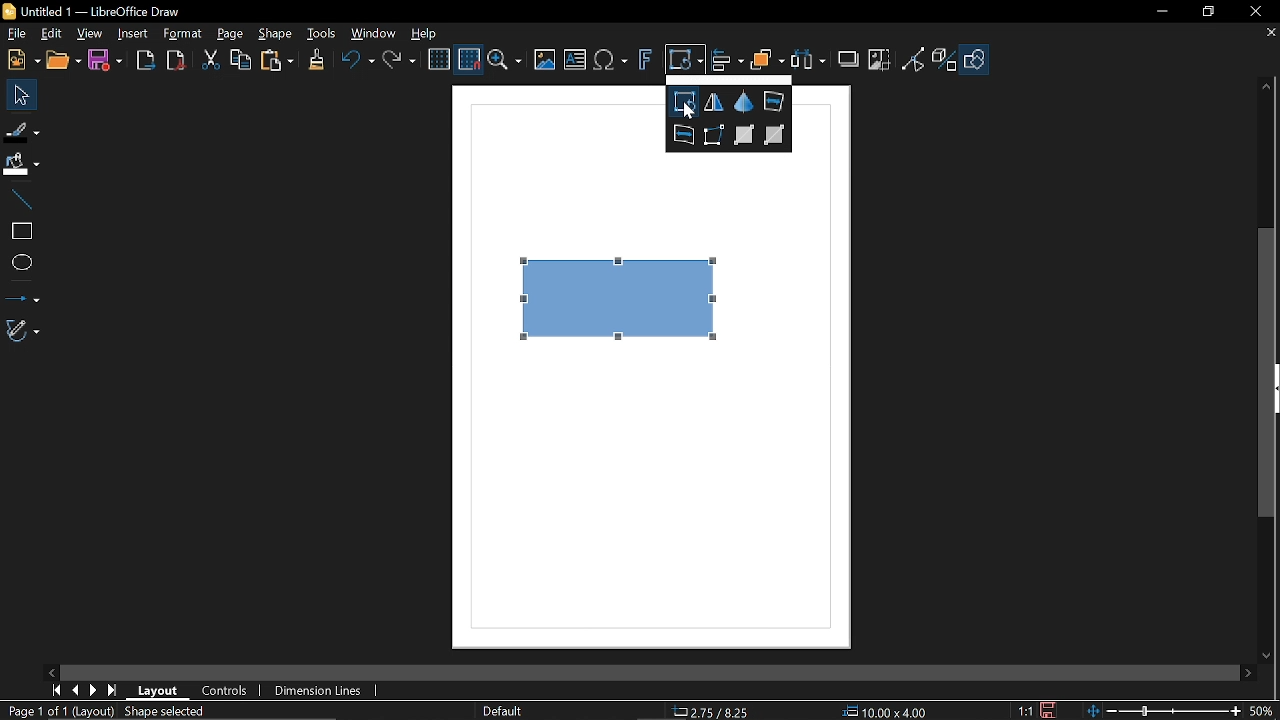 This screenshot has height=720, width=1280. I want to click on New, so click(22, 60).